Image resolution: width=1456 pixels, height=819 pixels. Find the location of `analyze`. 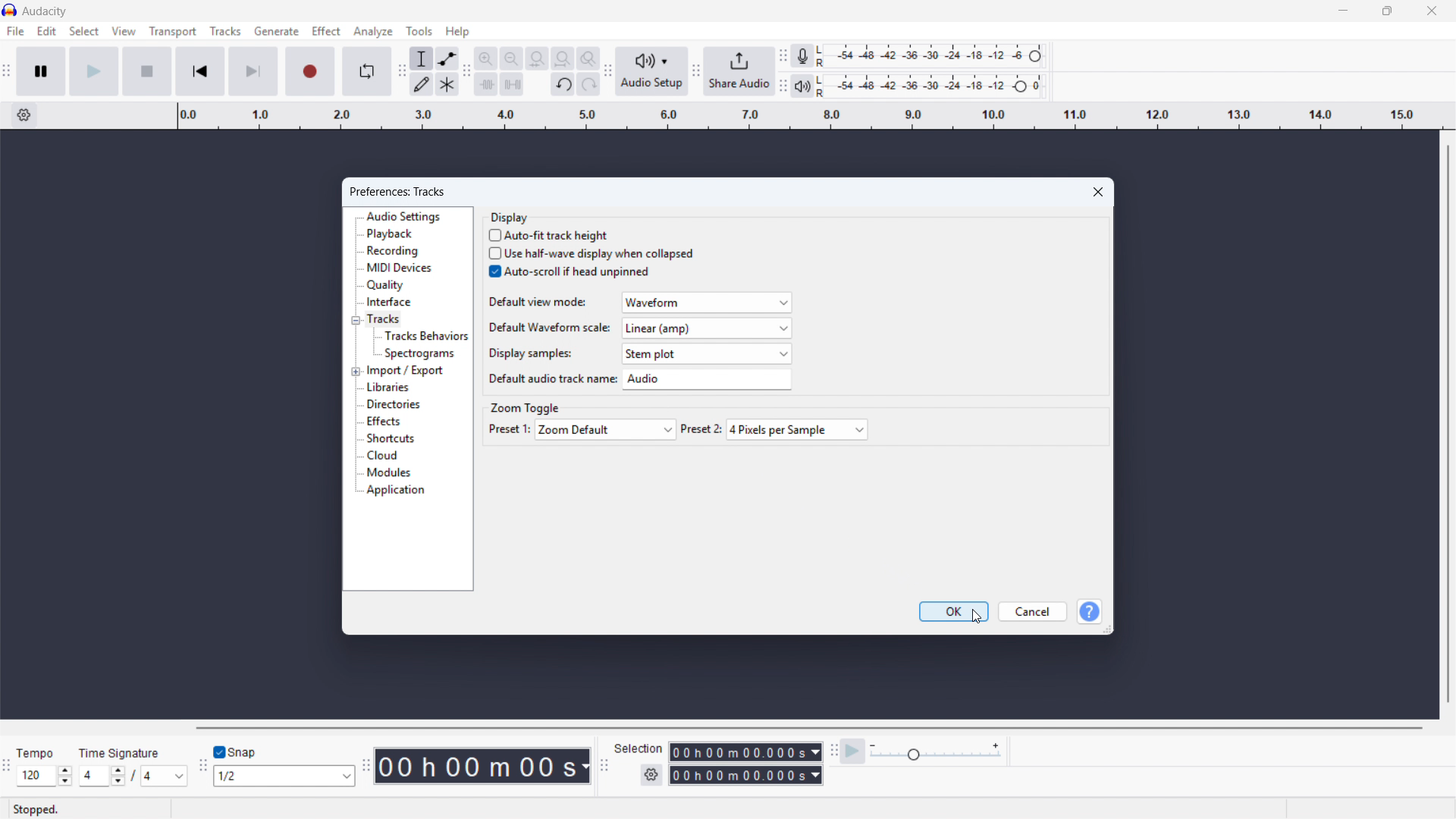

analyze is located at coordinates (374, 31).